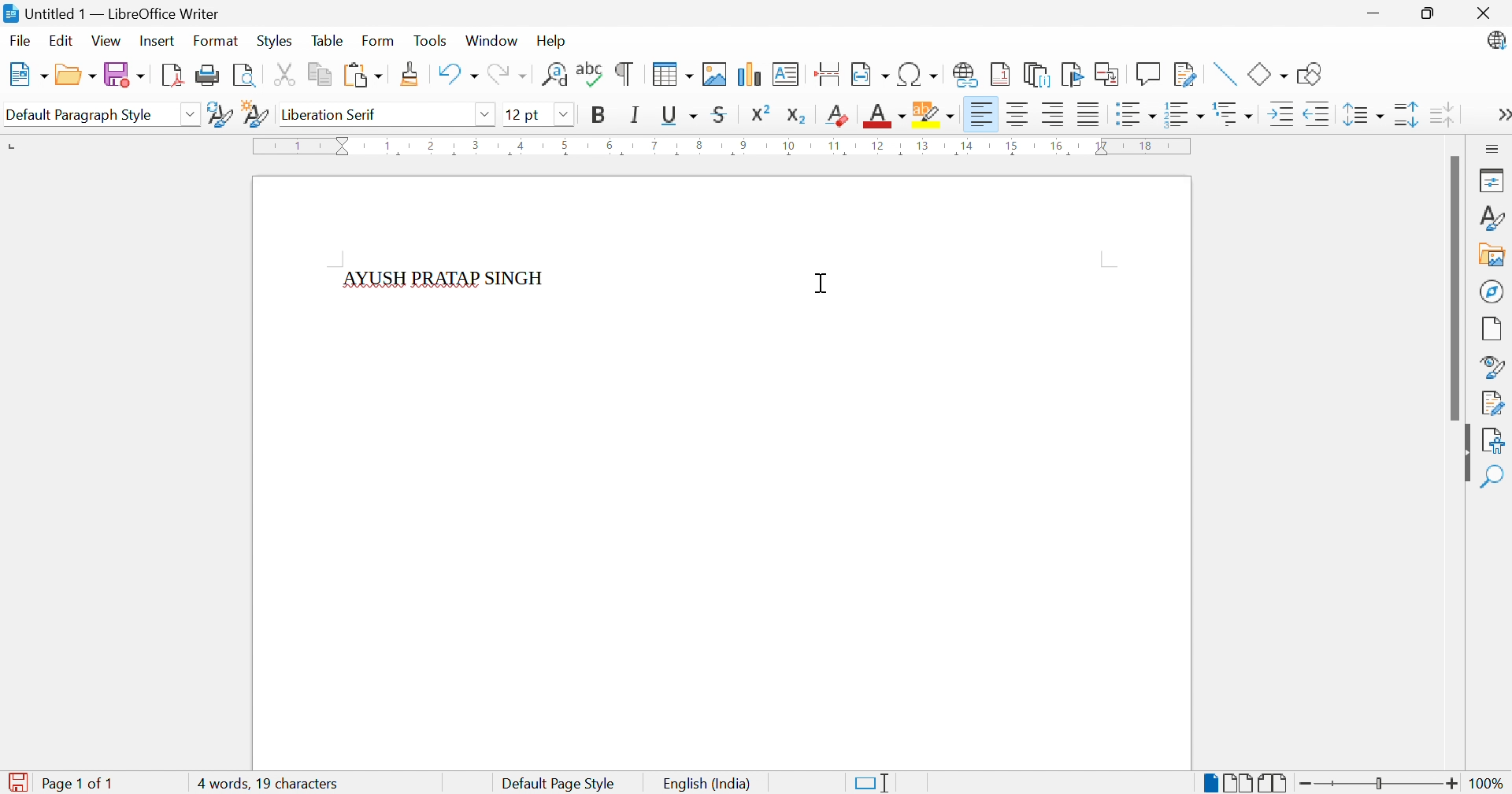  What do you see at coordinates (457, 74) in the screenshot?
I see `Undo` at bounding box center [457, 74].